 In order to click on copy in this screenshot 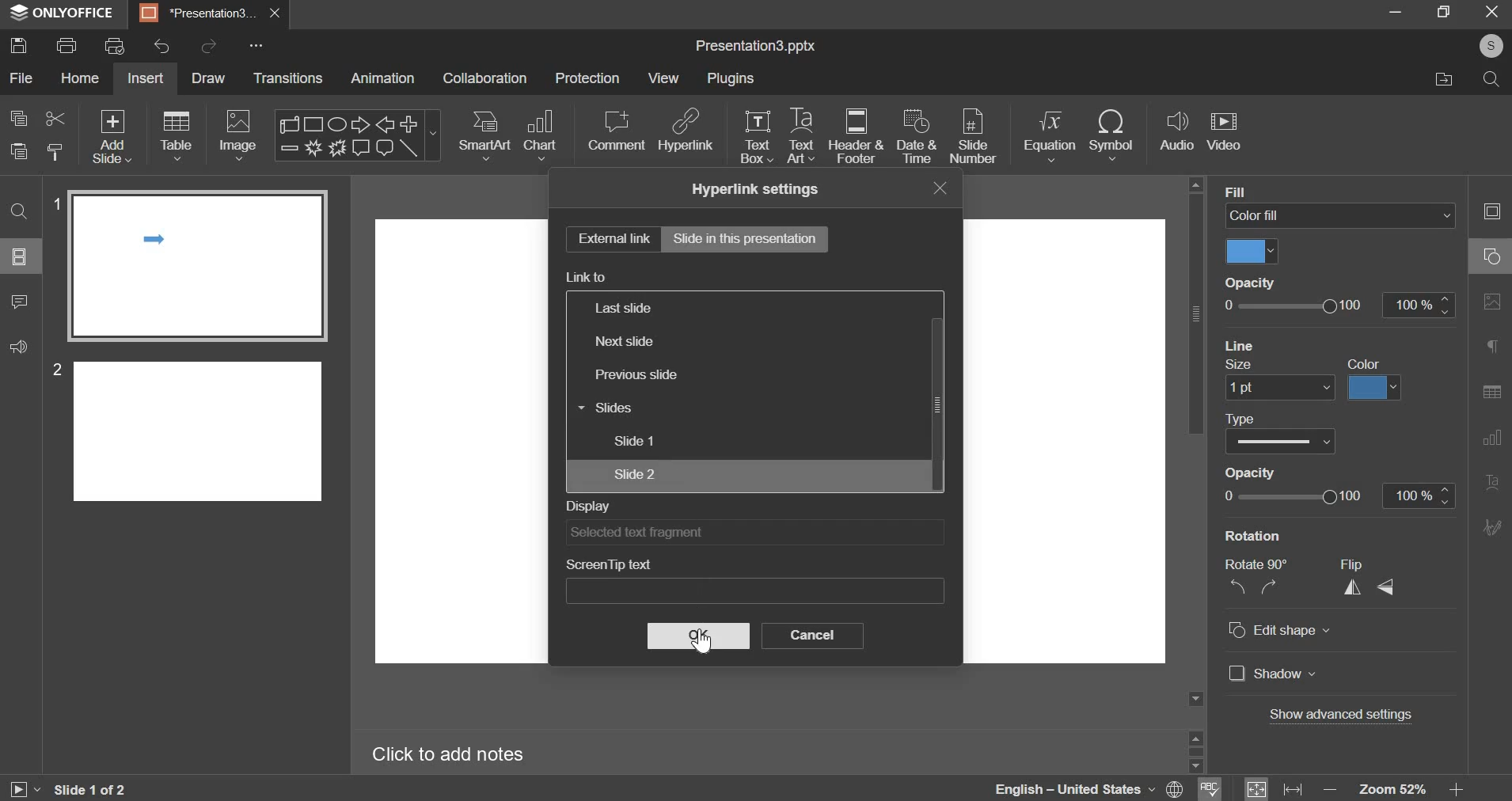, I will do `click(19, 118)`.